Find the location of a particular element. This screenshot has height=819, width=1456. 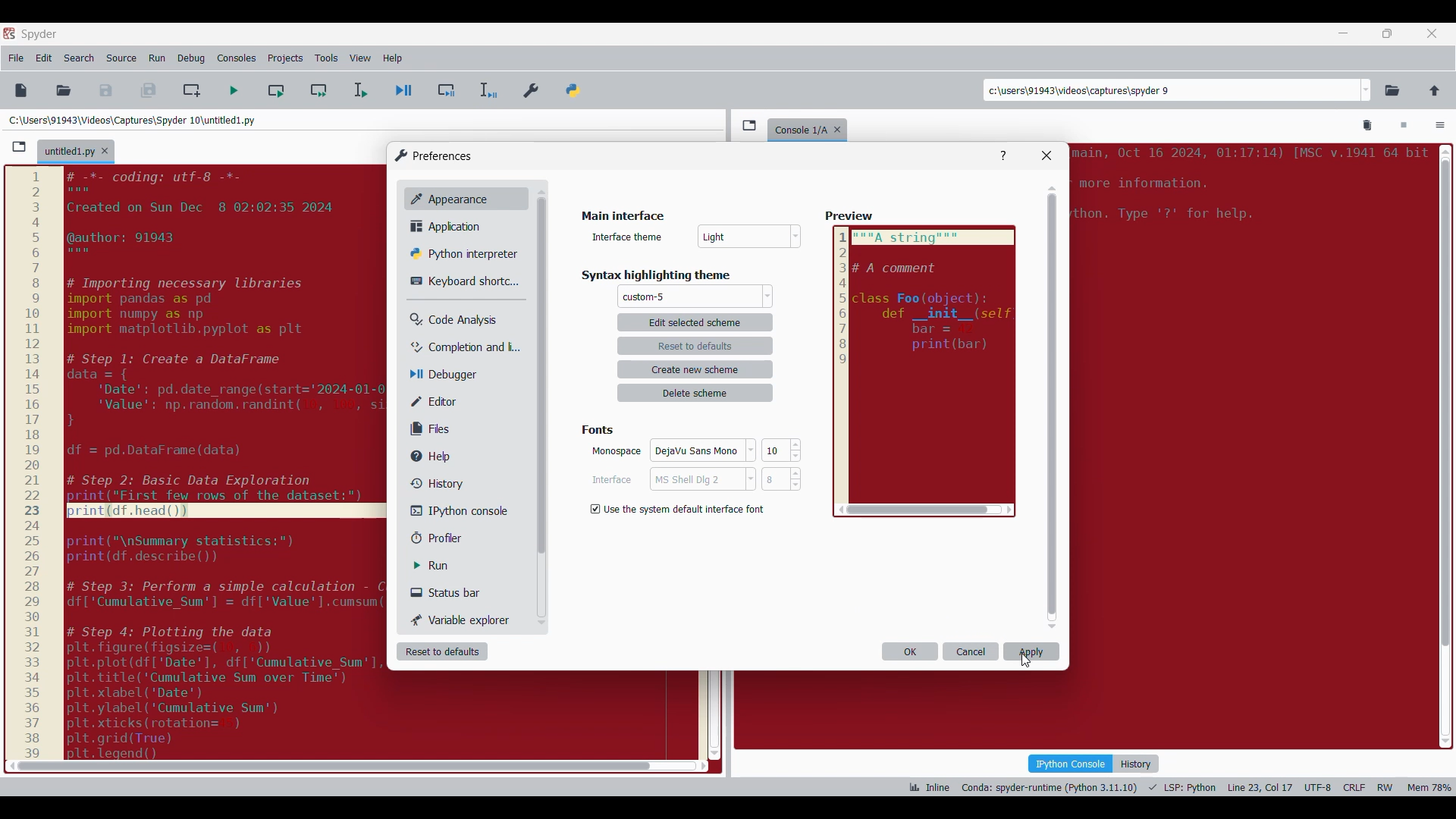

Debug cell is located at coordinates (447, 90).